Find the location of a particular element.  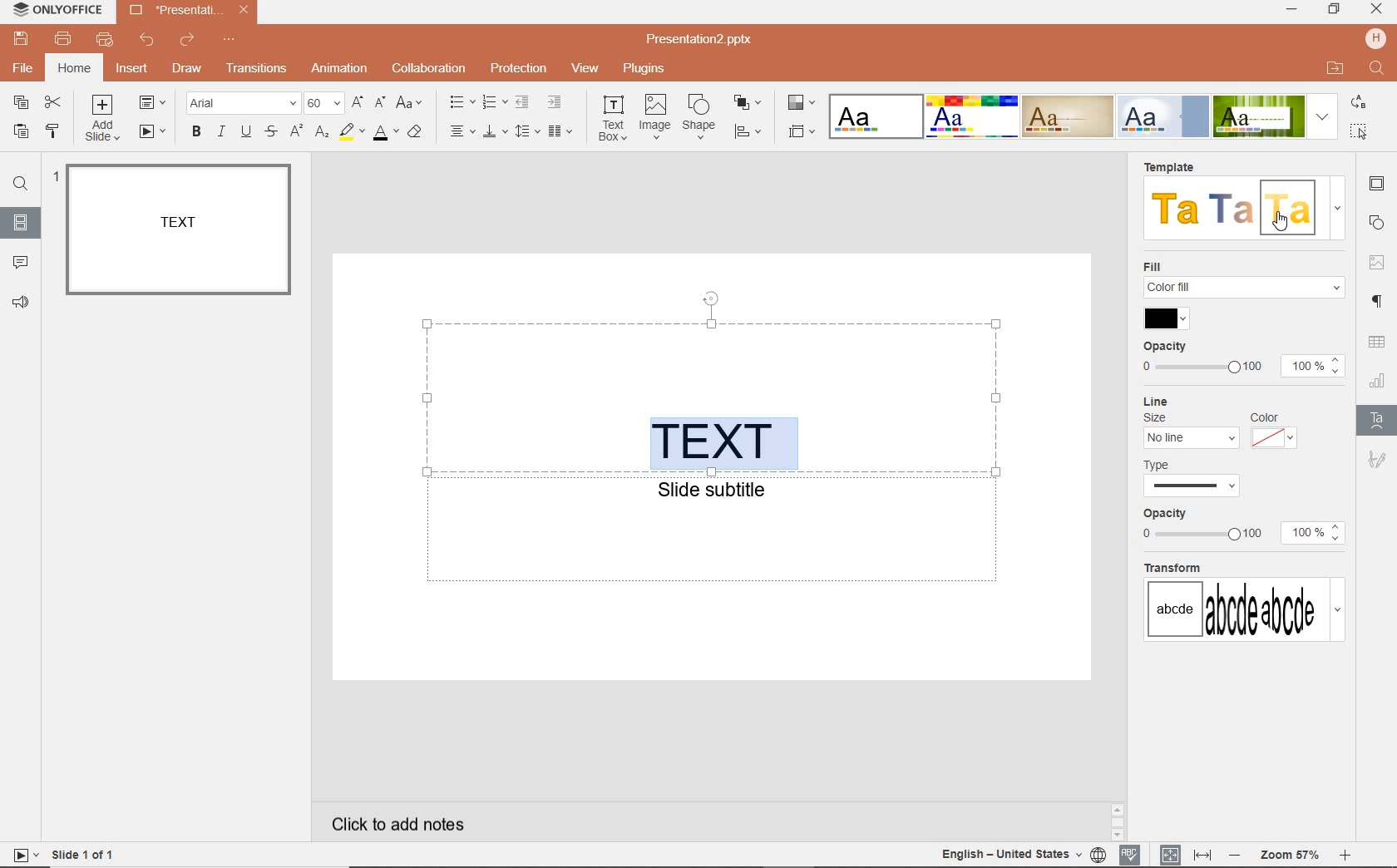

DECREMENT FONT SIZE is located at coordinates (381, 104).